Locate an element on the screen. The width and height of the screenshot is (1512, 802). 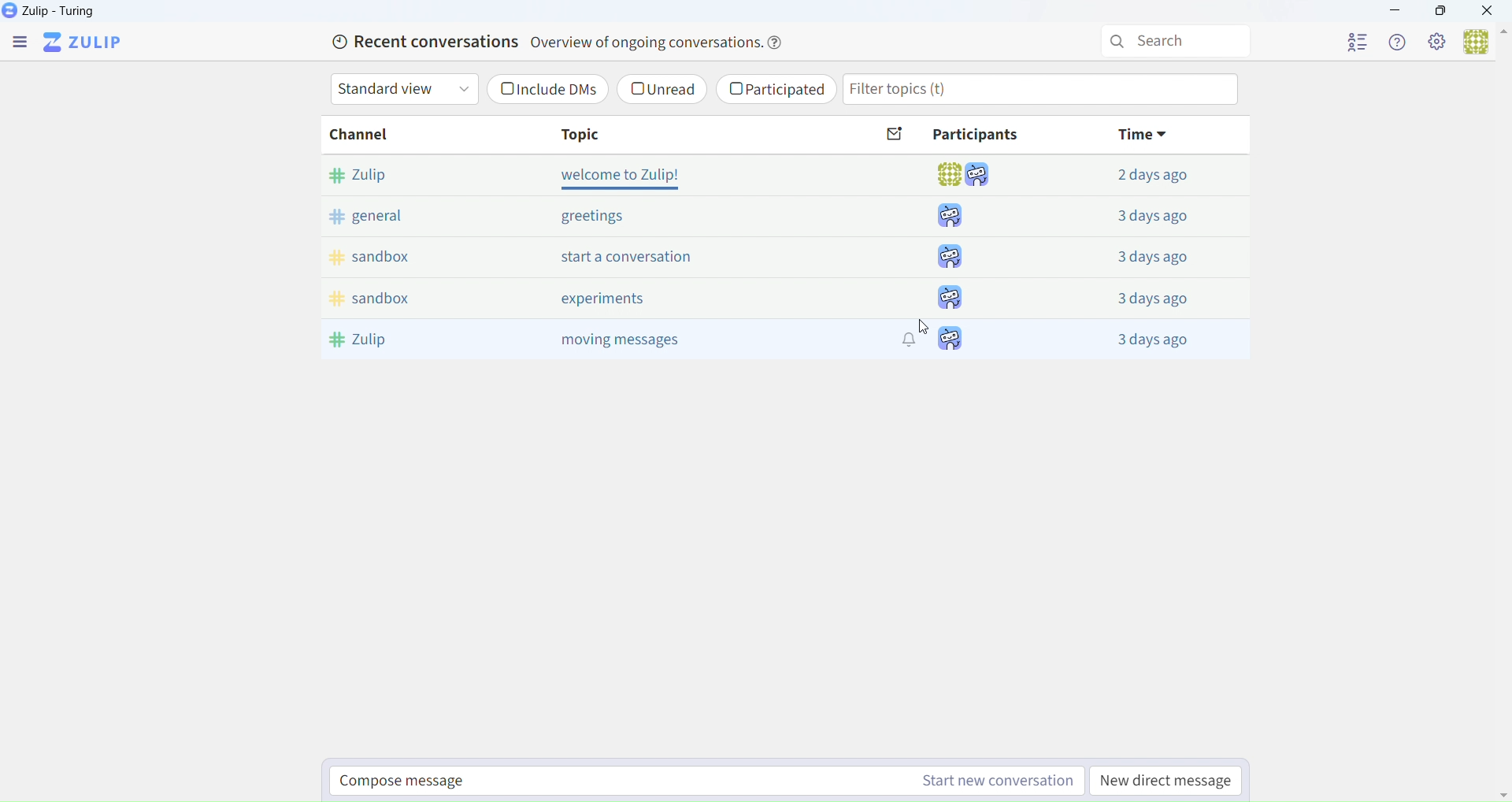
welcome to Zulip! is located at coordinates (619, 176).